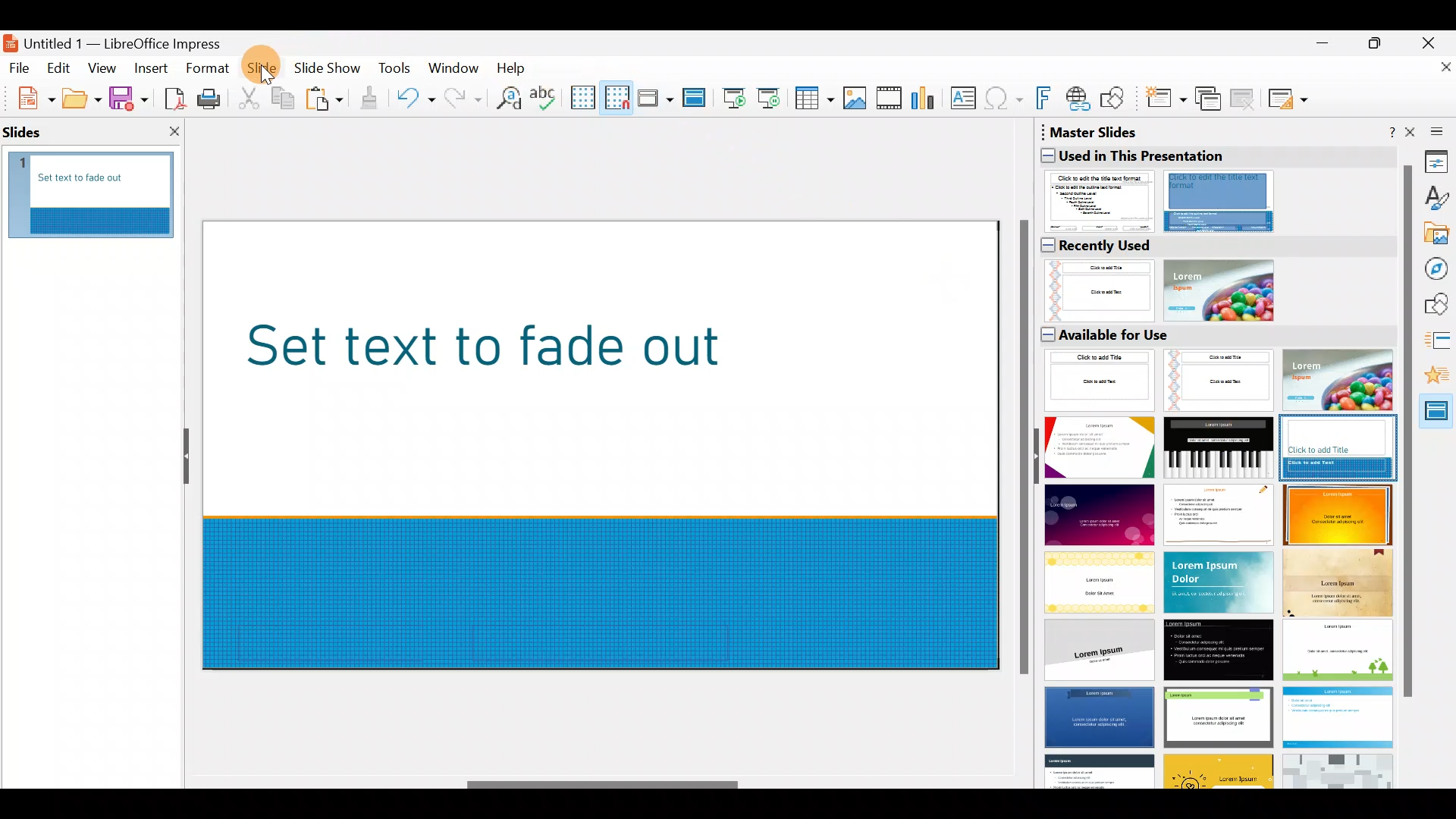 The width and height of the screenshot is (1456, 819). I want to click on Maximise, so click(1379, 46).